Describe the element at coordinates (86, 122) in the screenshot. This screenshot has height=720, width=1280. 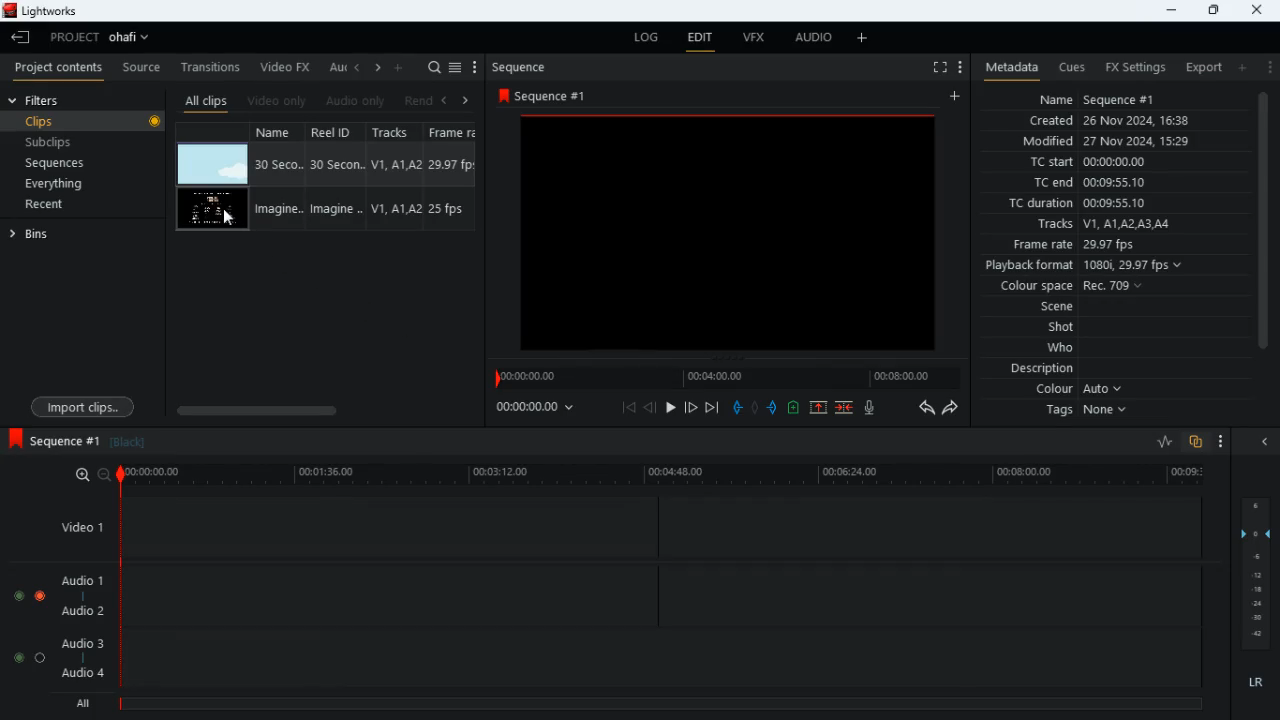
I see `clips` at that location.